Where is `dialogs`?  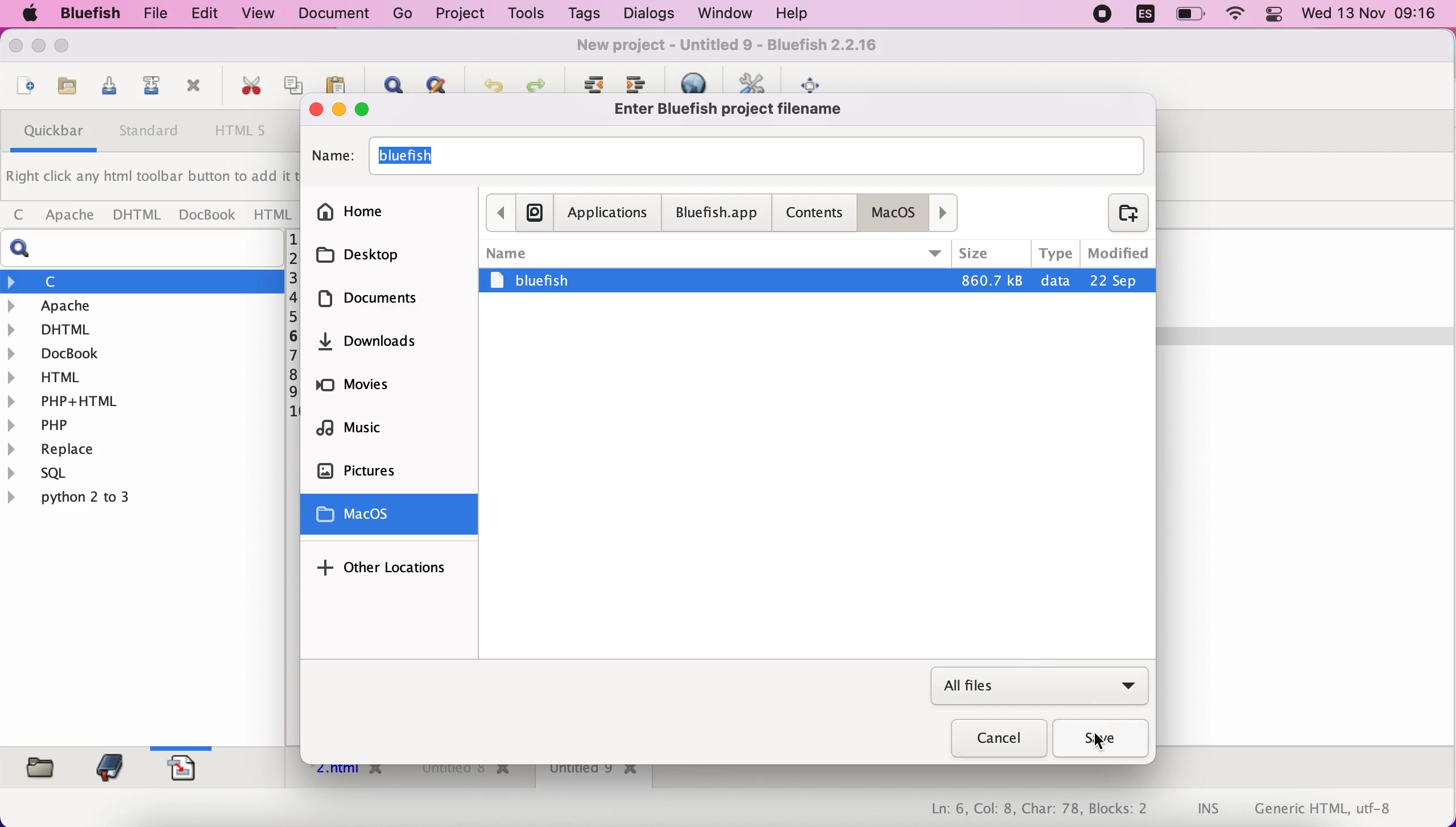
dialogs is located at coordinates (645, 14).